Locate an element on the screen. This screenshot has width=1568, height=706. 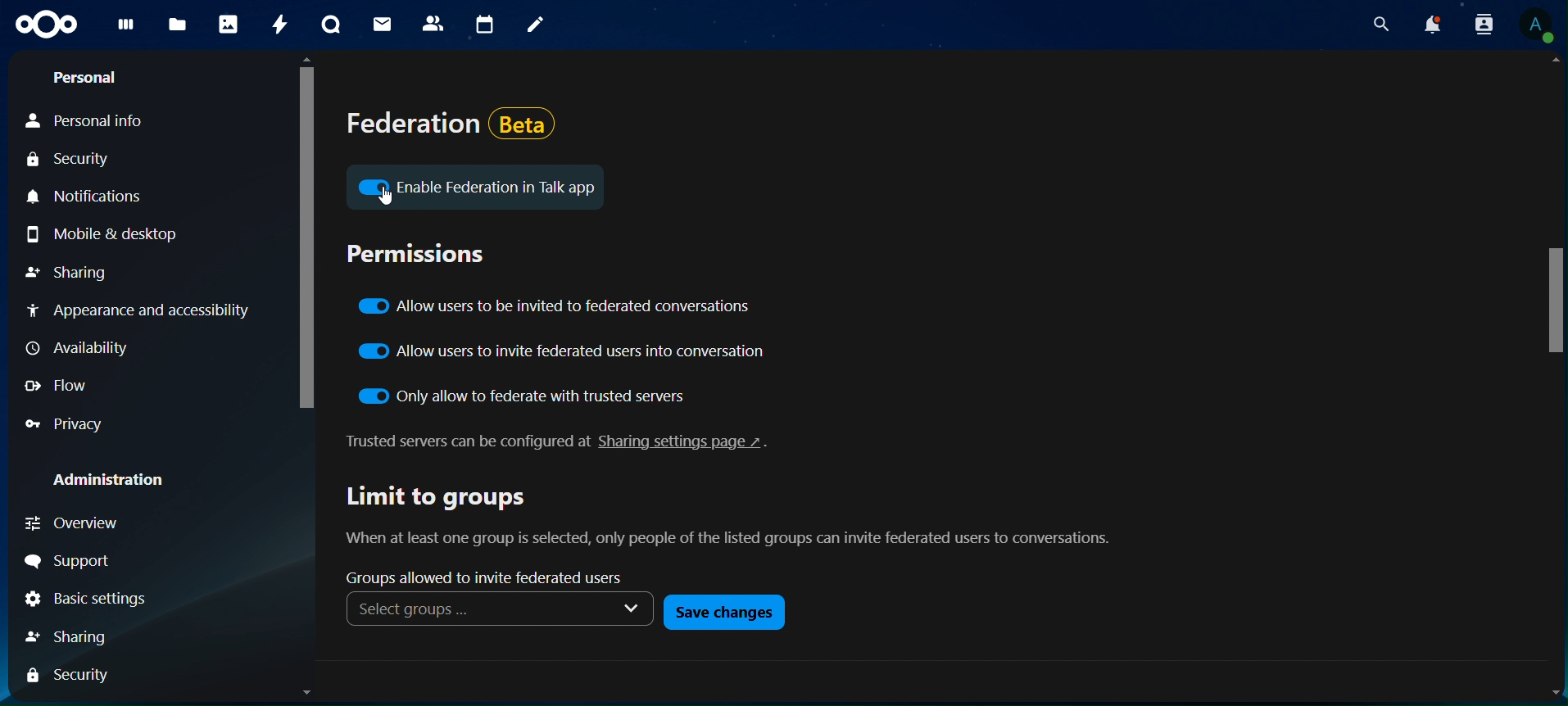
notifications is located at coordinates (1433, 25).